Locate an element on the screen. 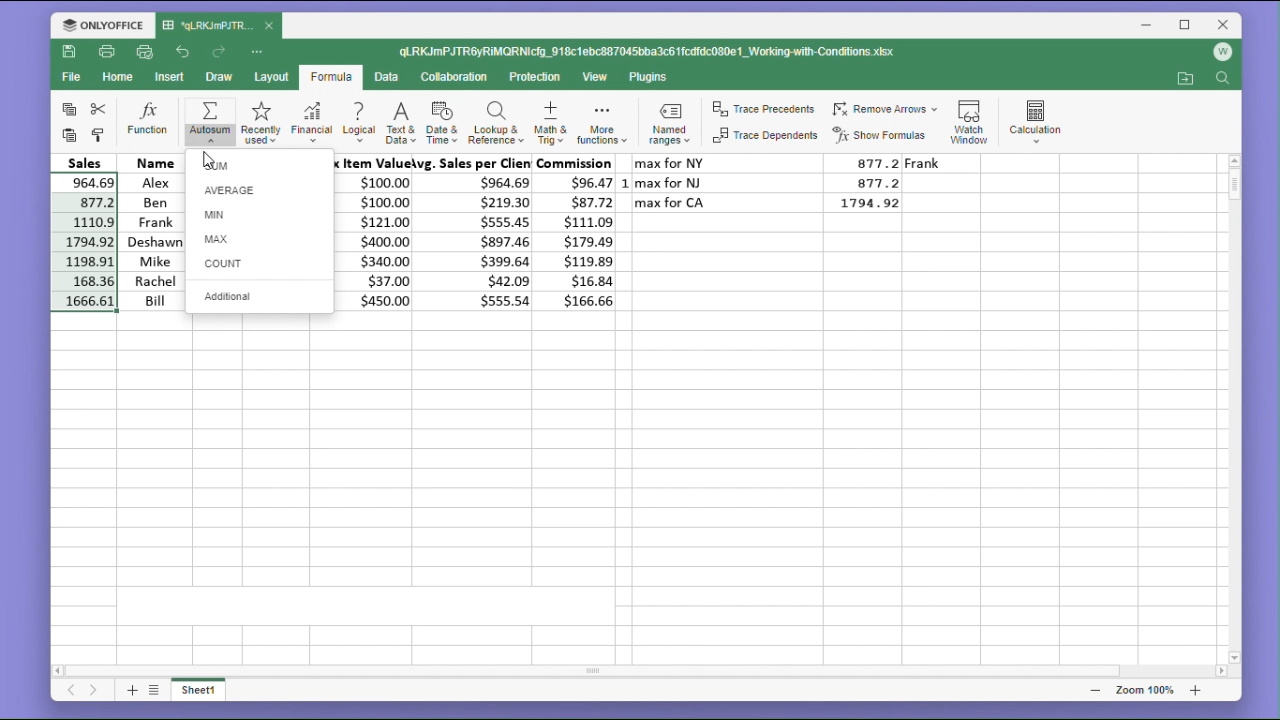  sheet 1 is located at coordinates (206, 692).